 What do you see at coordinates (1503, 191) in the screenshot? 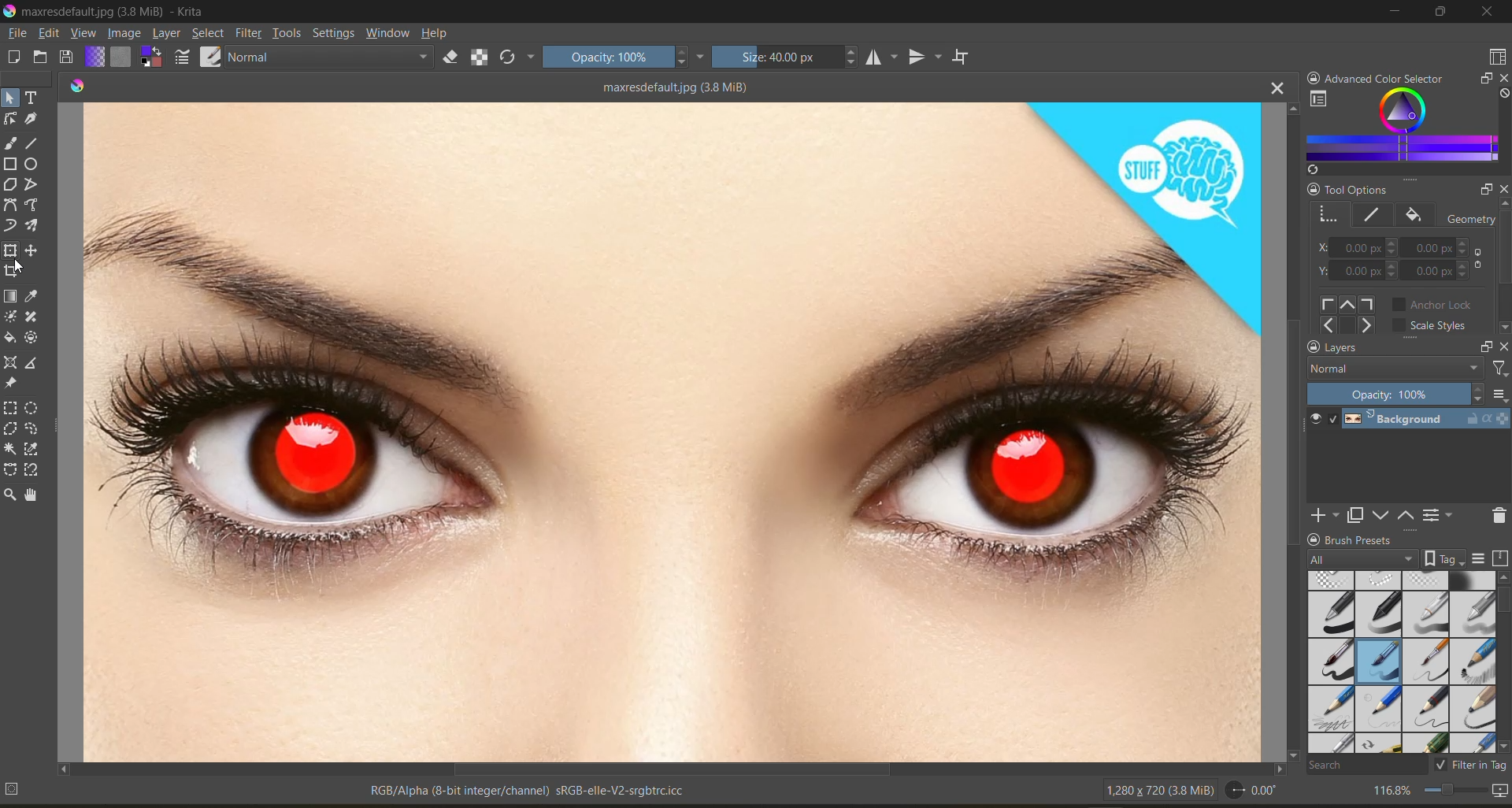
I see `close docker` at bounding box center [1503, 191].